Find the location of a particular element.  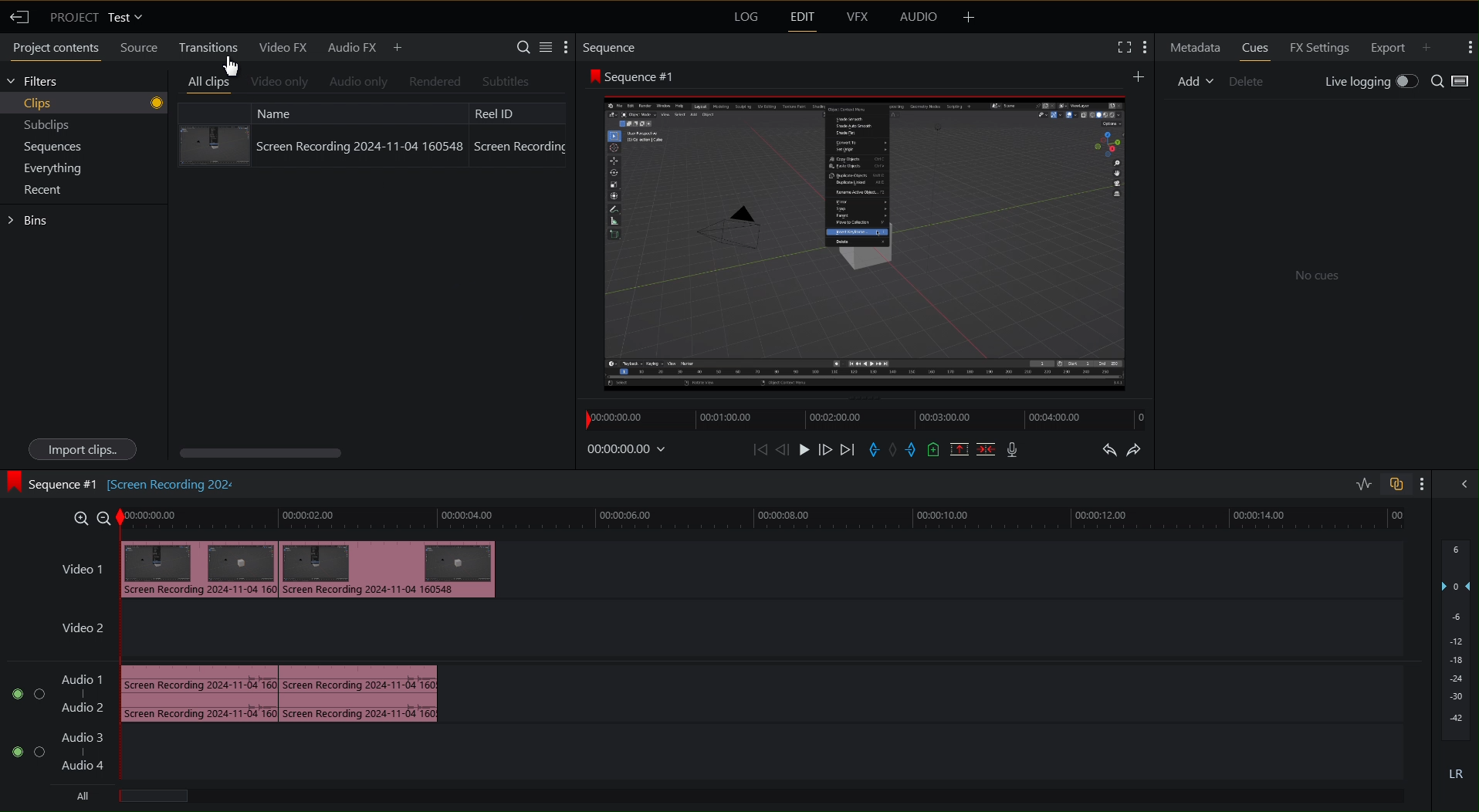

Timeline is located at coordinates (863, 419).